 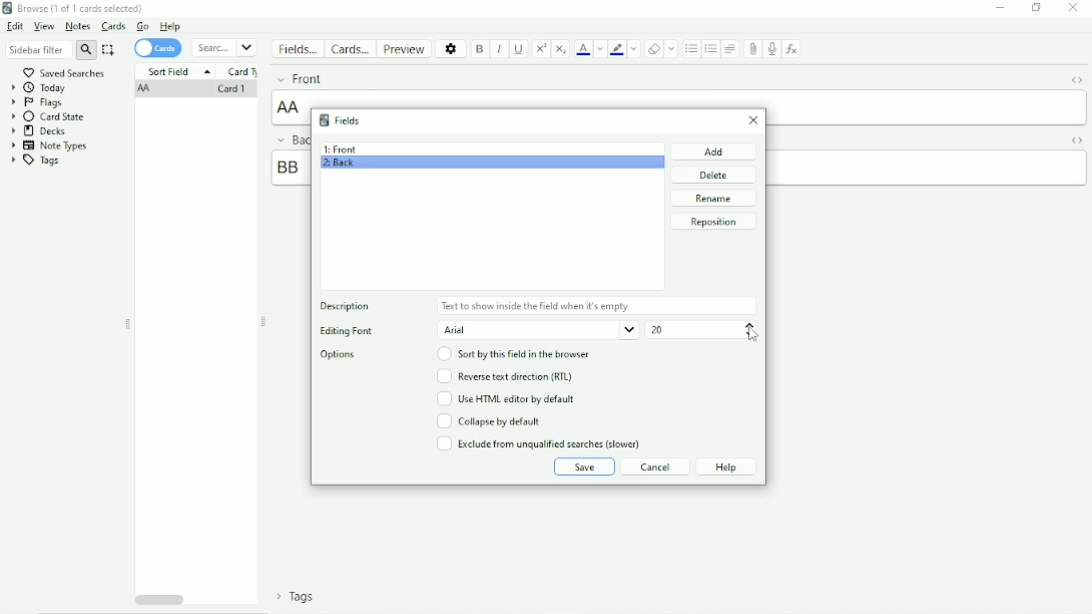 What do you see at coordinates (1073, 8) in the screenshot?
I see `Close` at bounding box center [1073, 8].